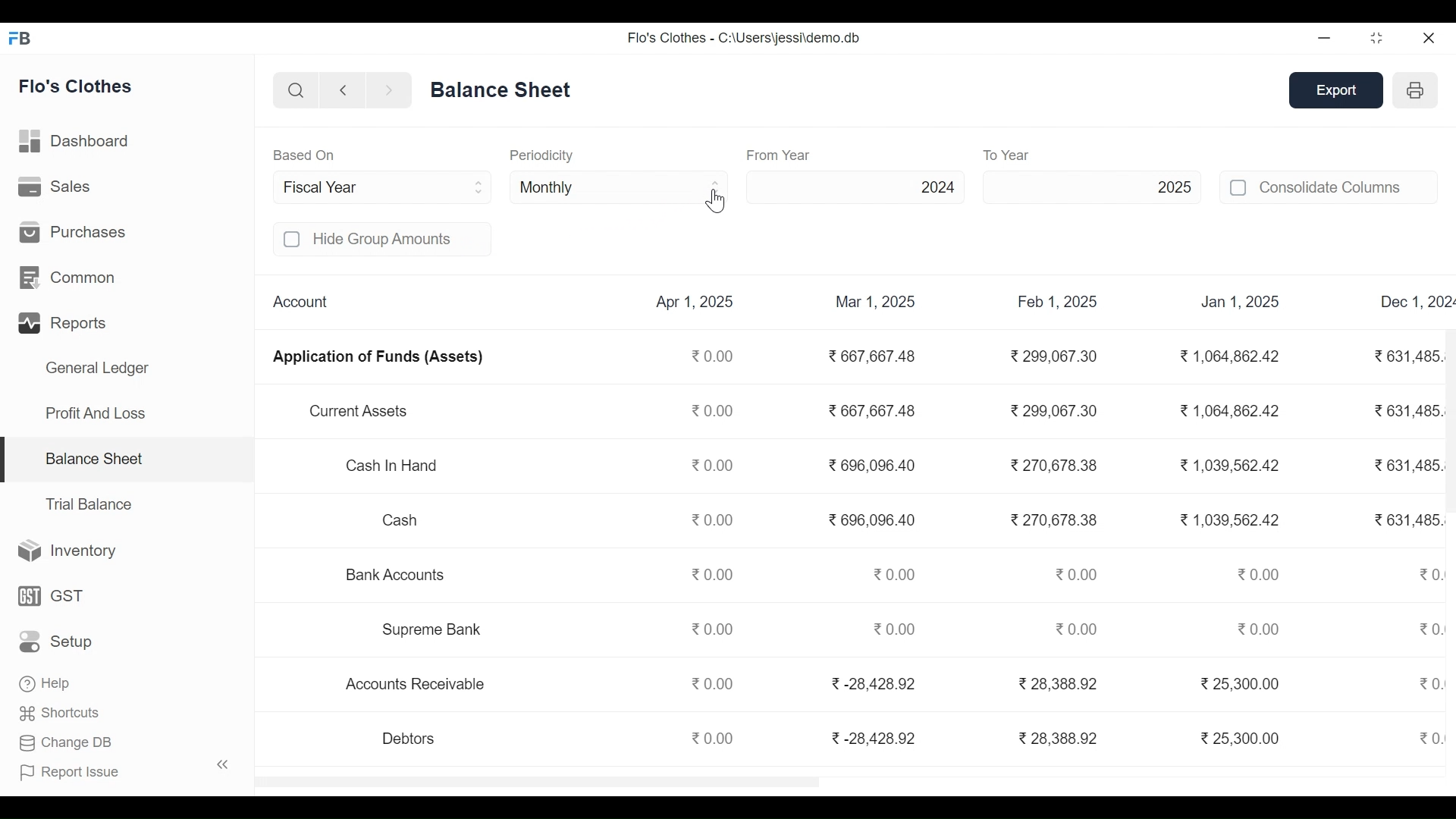 This screenshot has width=1456, height=819. Describe the element at coordinates (304, 155) in the screenshot. I see `Based On` at that location.